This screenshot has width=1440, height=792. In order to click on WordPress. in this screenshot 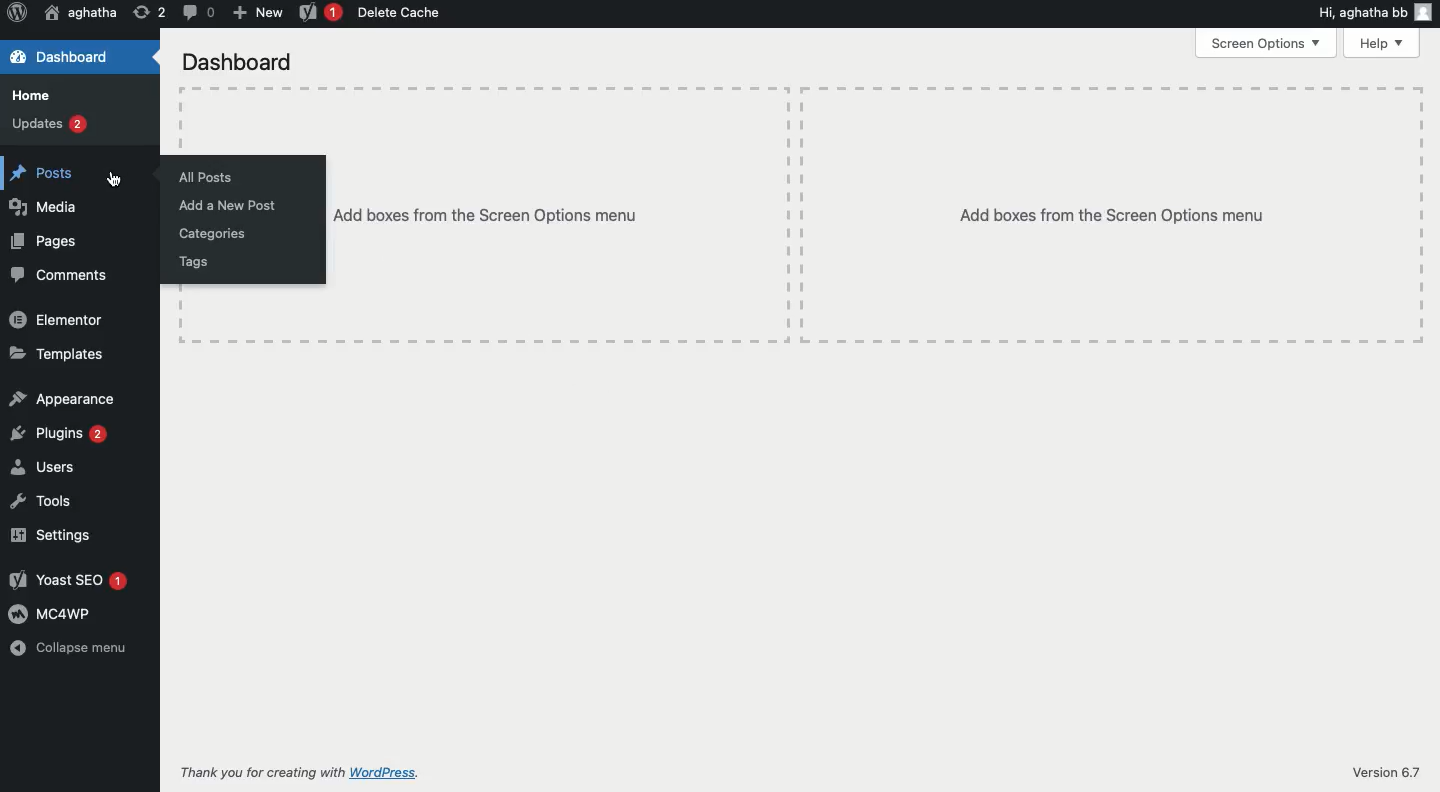, I will do `click(386, 775)`.